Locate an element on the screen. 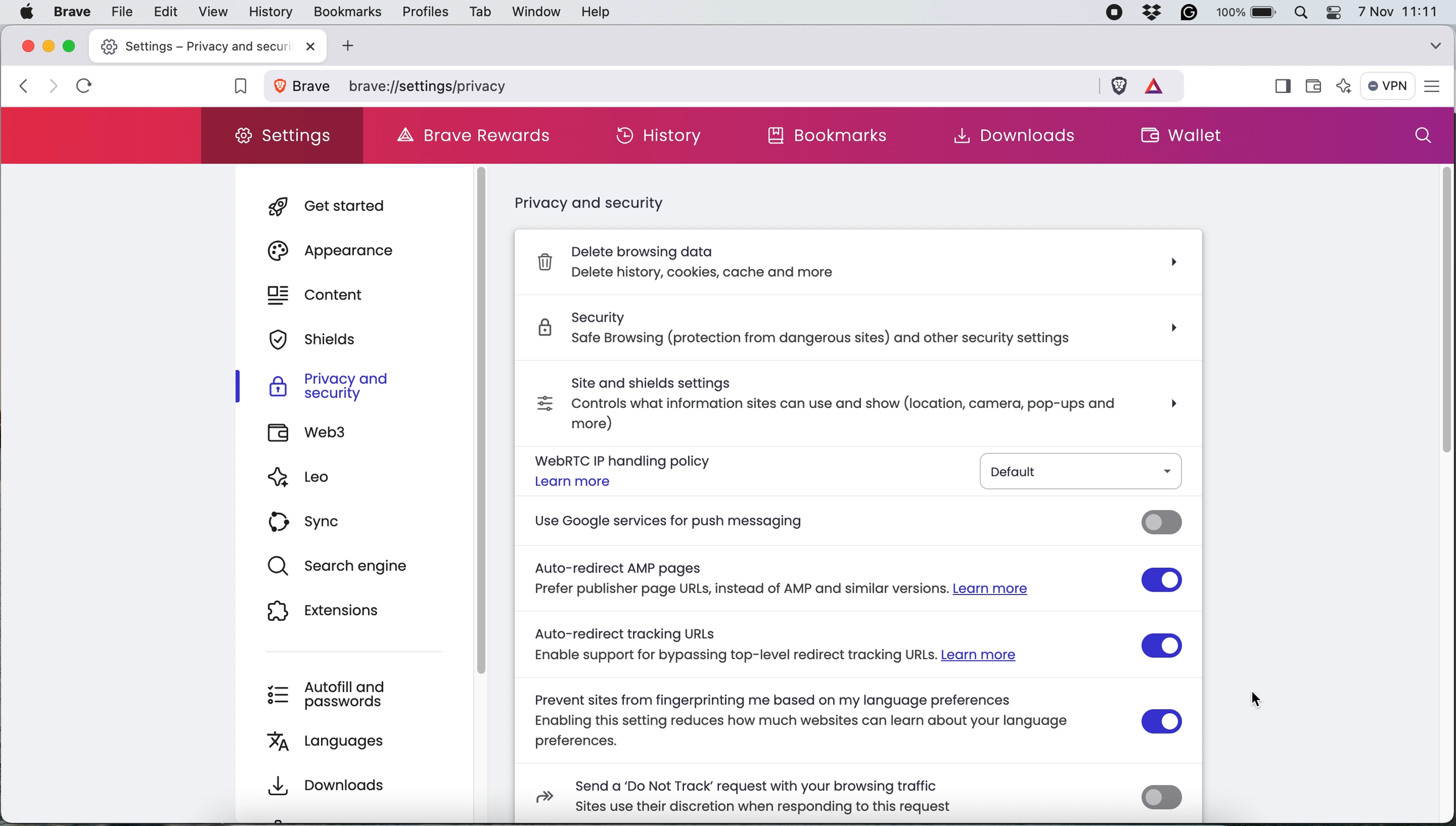 The image size is (1456, 826). refresh is located at coordinates (85, 86).